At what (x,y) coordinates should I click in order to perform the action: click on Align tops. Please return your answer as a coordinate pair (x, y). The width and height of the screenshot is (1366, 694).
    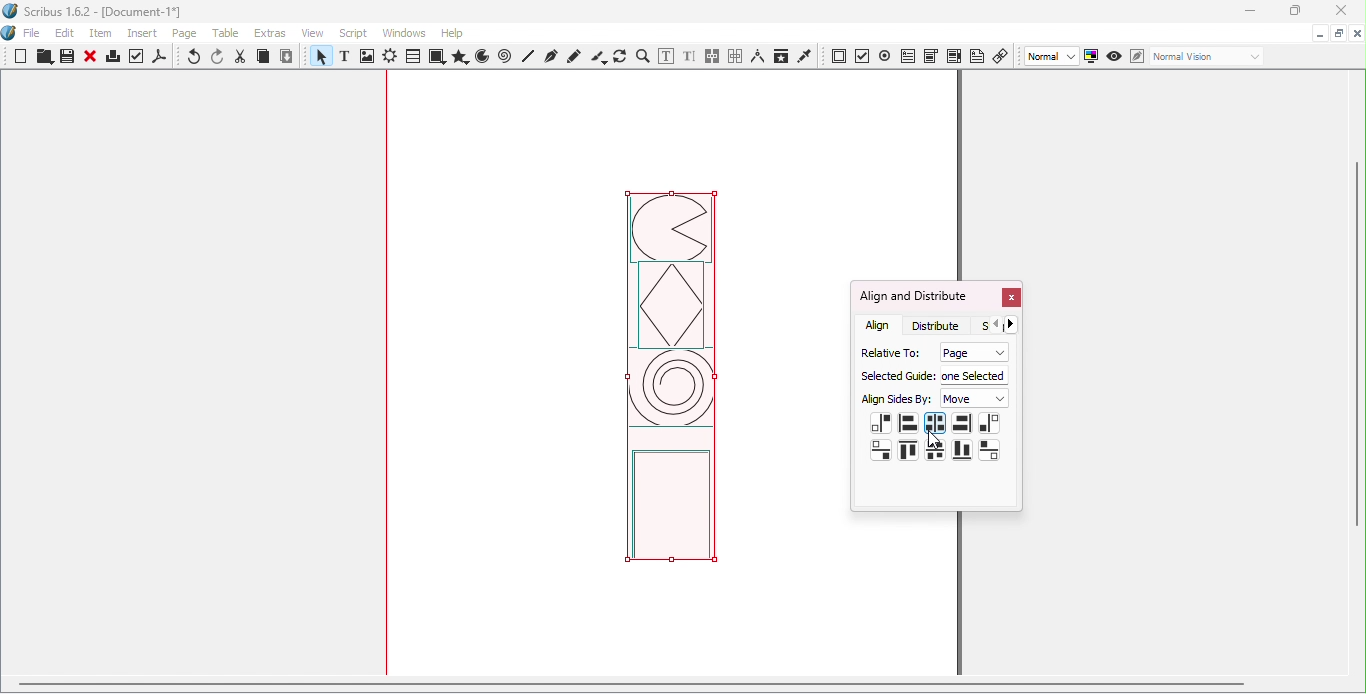
    Looking at the image, I should click on (908, 452).